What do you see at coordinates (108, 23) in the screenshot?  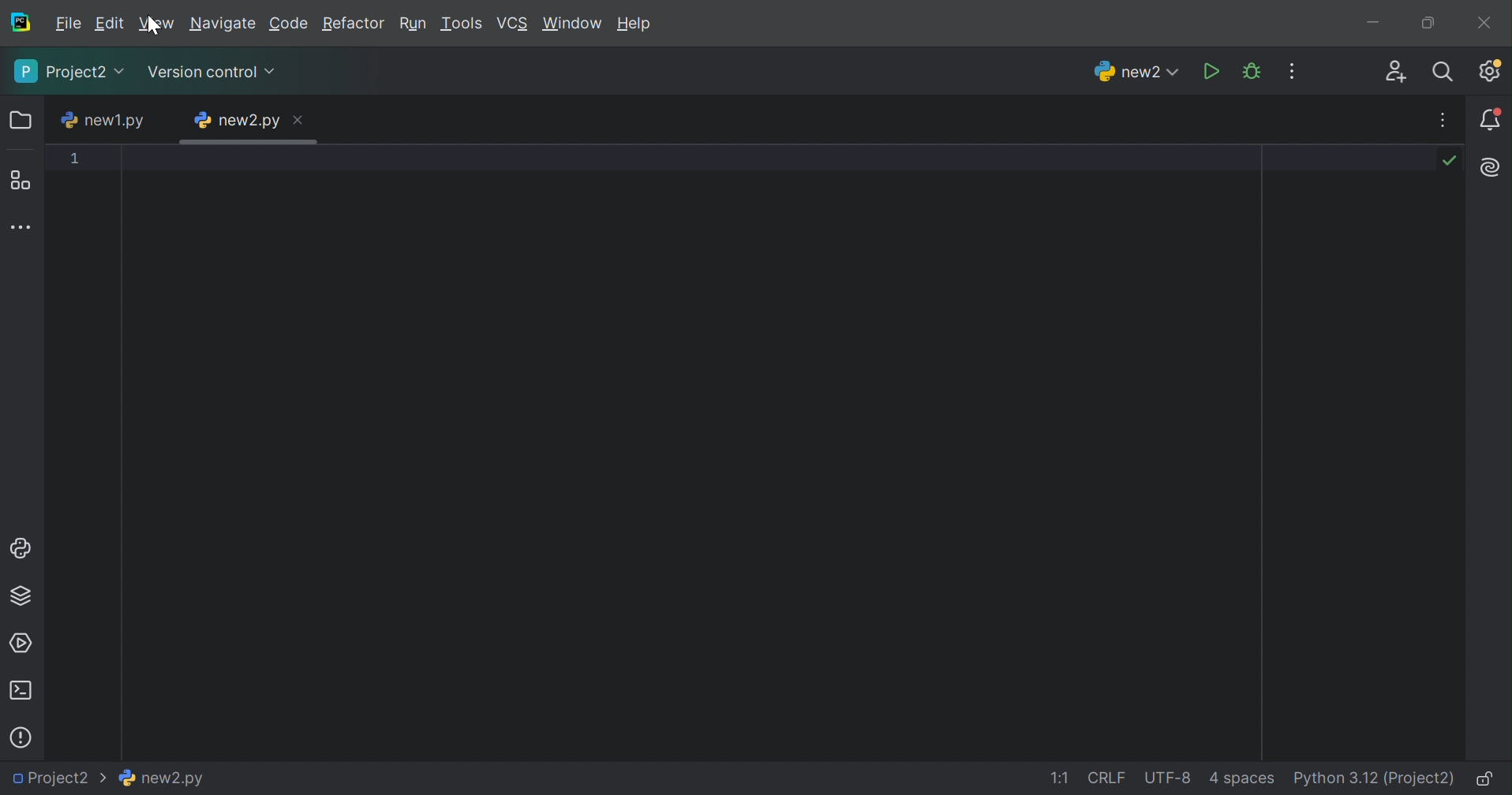 I see `Edit` at bounding box center [108, 23].